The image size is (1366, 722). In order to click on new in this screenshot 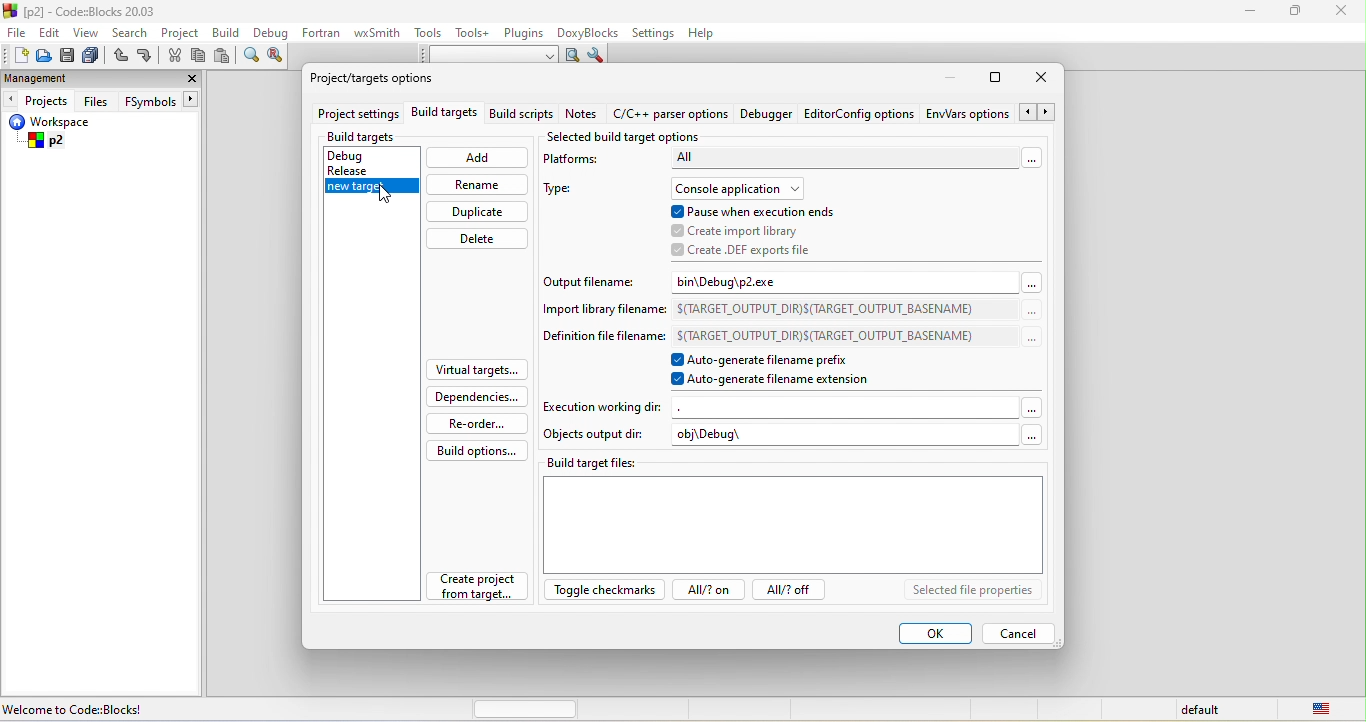, I will do `click(15, 55)`.